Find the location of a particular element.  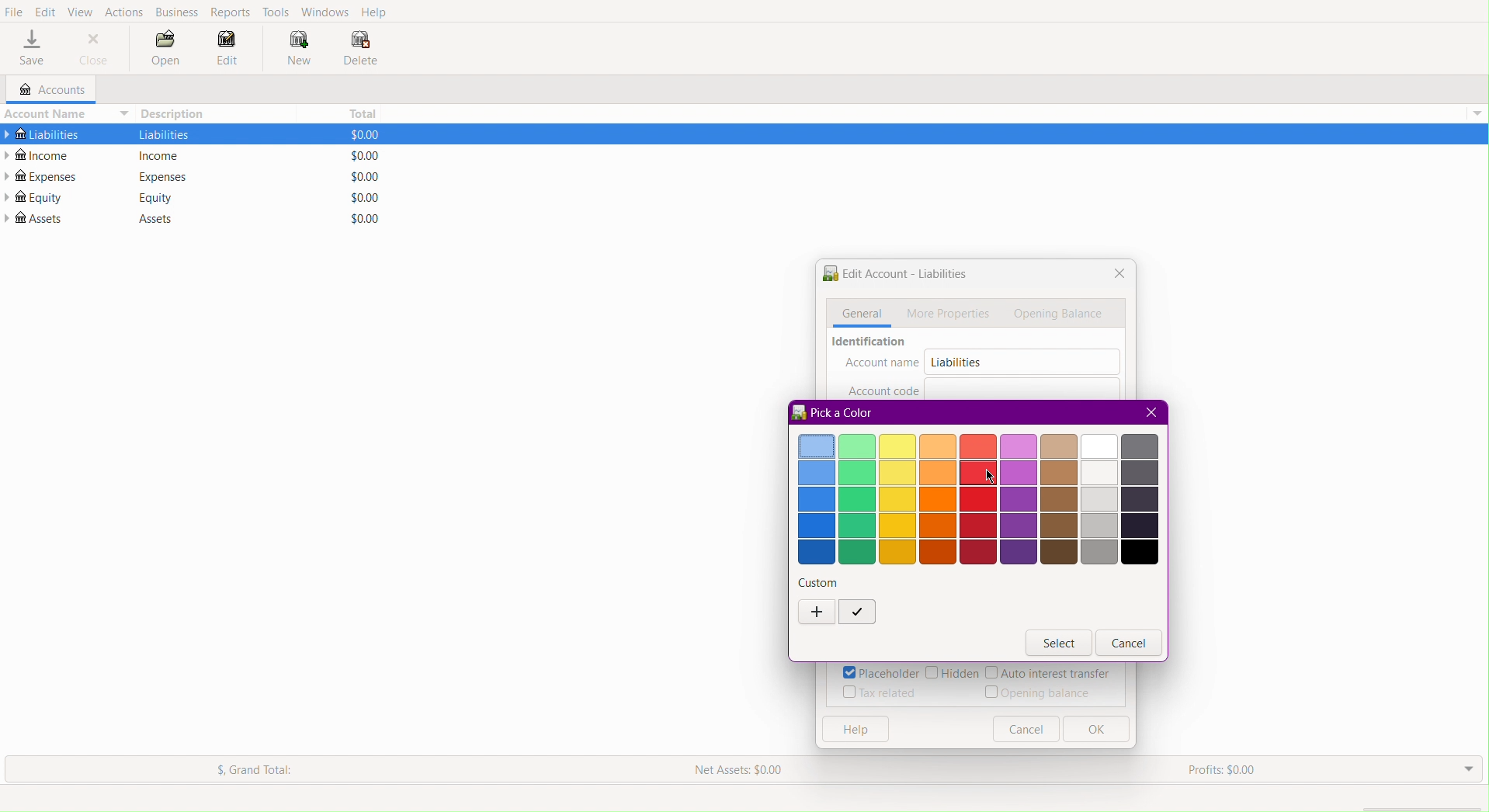

Close is located at coordinates (1116, 275).